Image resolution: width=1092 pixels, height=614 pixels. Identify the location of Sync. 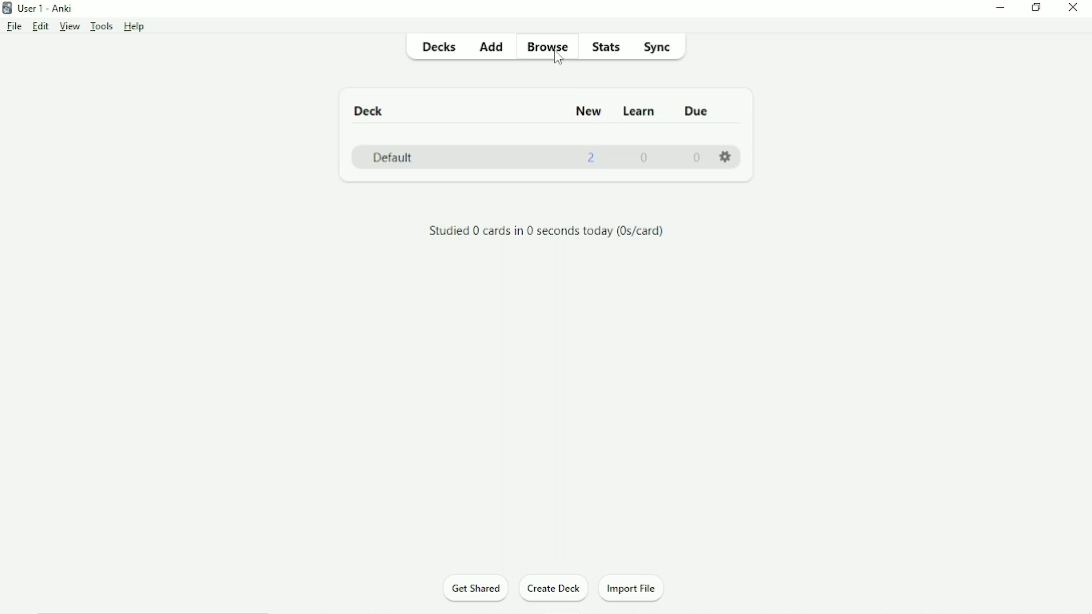
(659, 47).